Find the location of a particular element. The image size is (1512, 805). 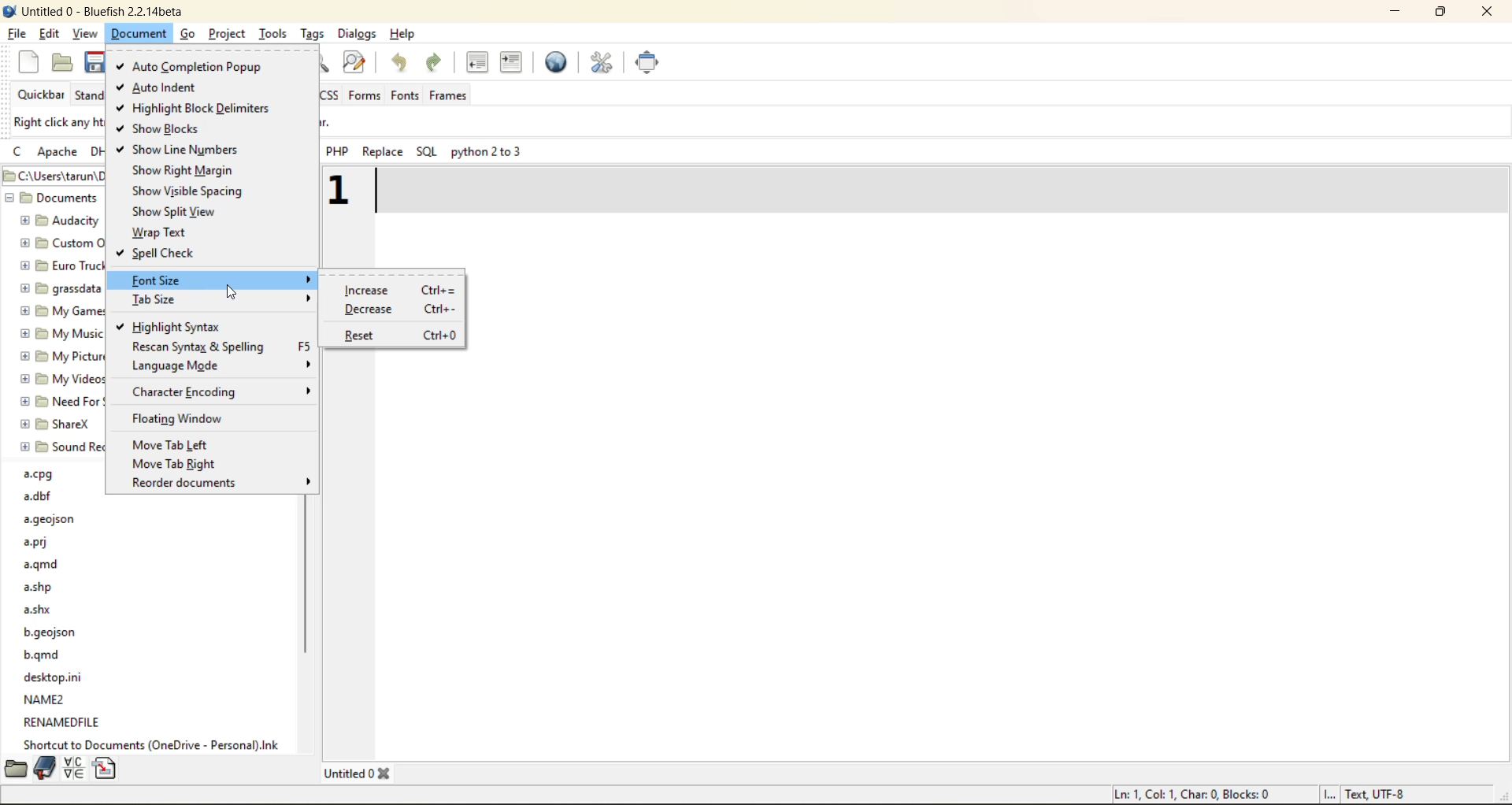

font size is located at coordinates (167, 278).